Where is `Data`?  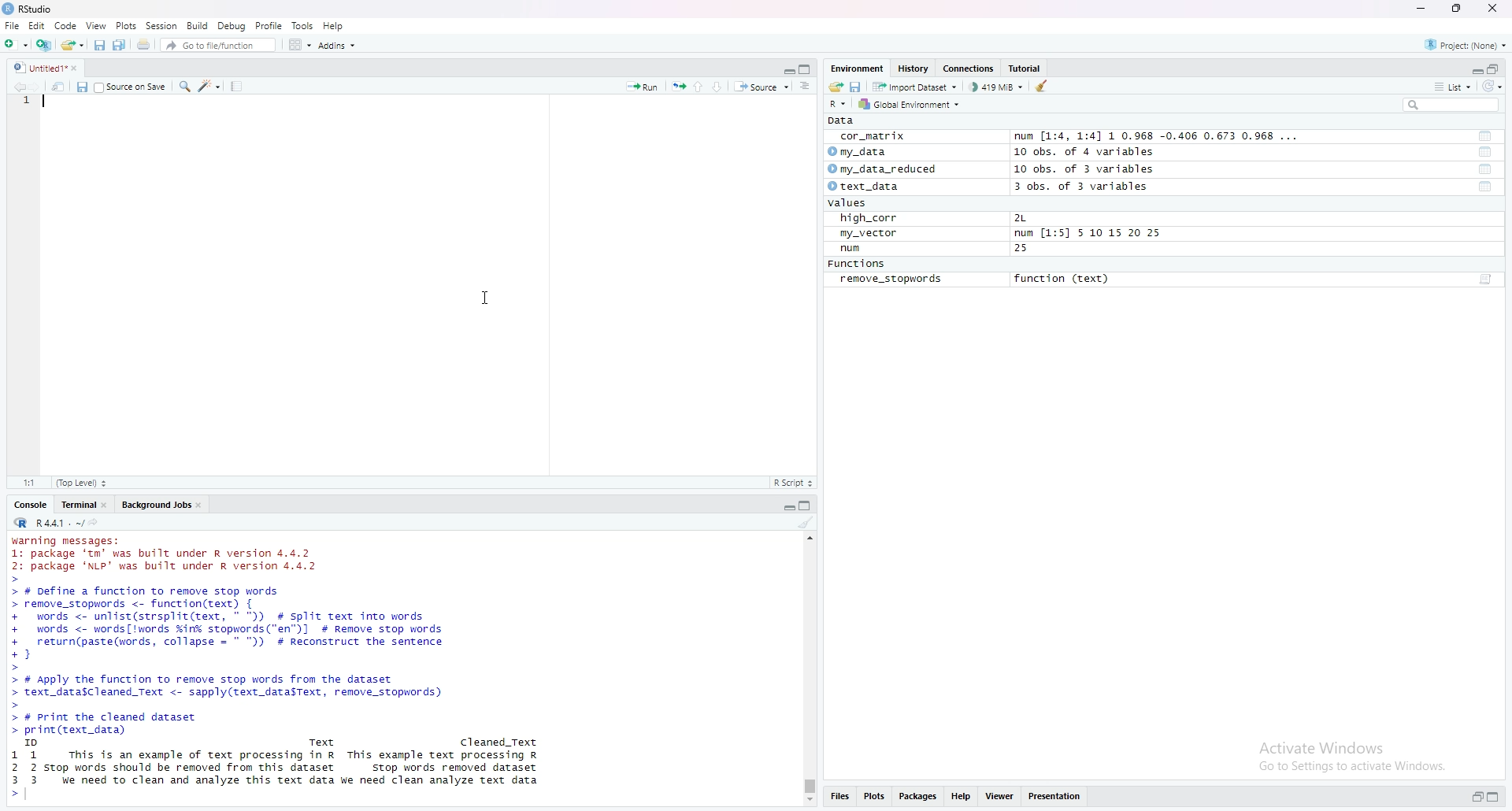 Data is located at coordinates (843, 120).